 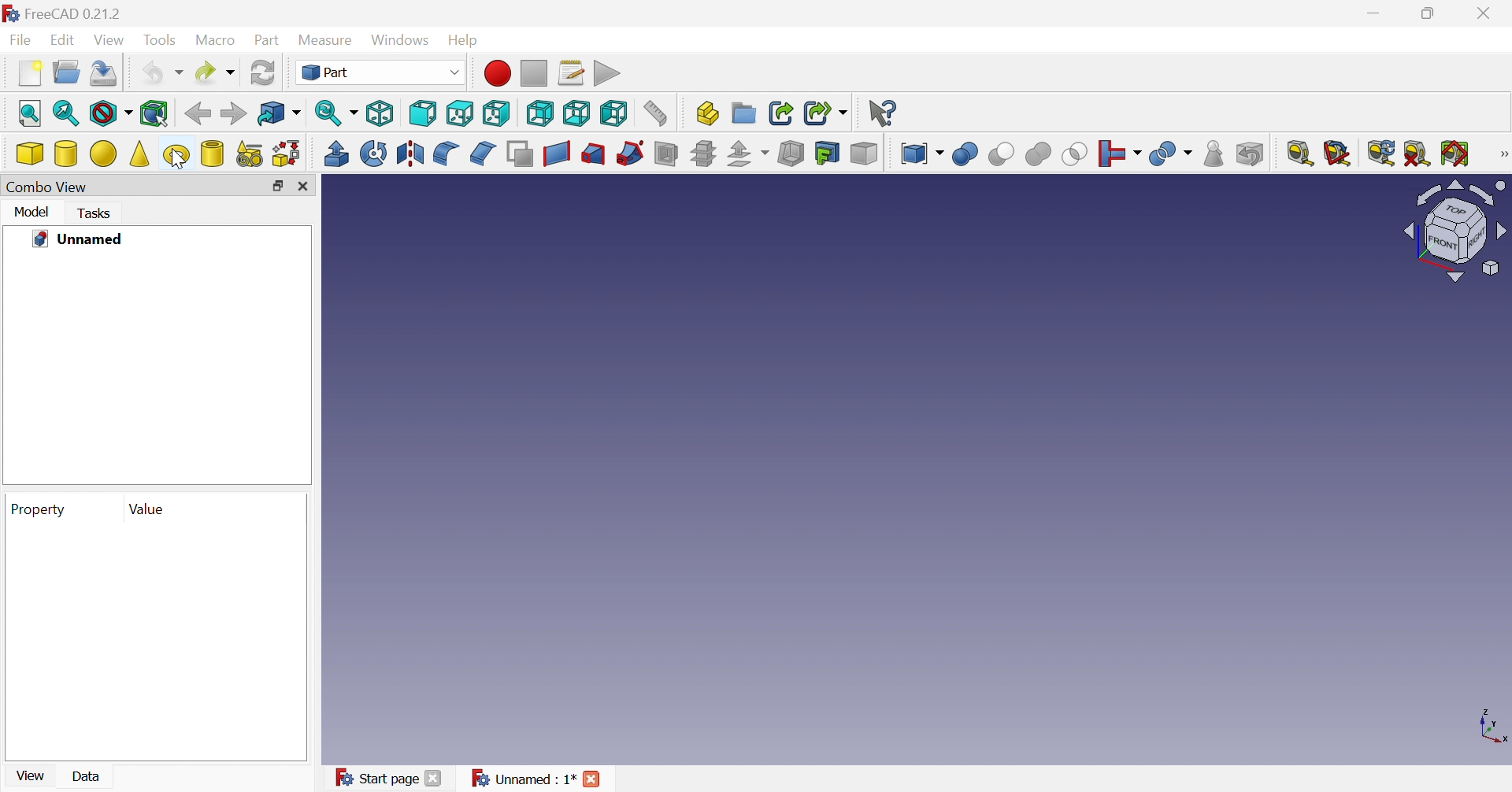 I want to click on Measure, so click(x=1501, y=154).